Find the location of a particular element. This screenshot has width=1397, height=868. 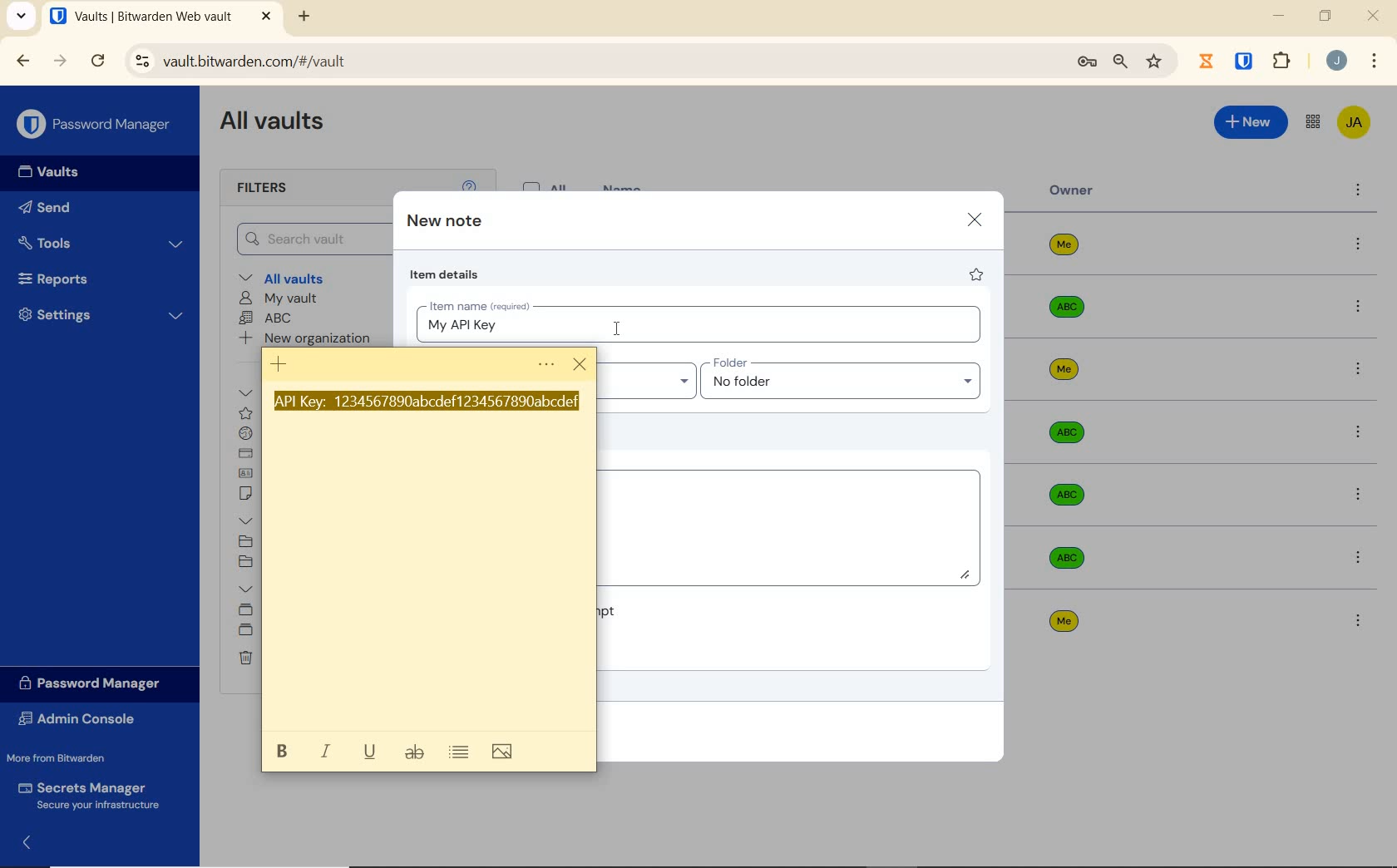

Reports is located at coordinates (95, 280).